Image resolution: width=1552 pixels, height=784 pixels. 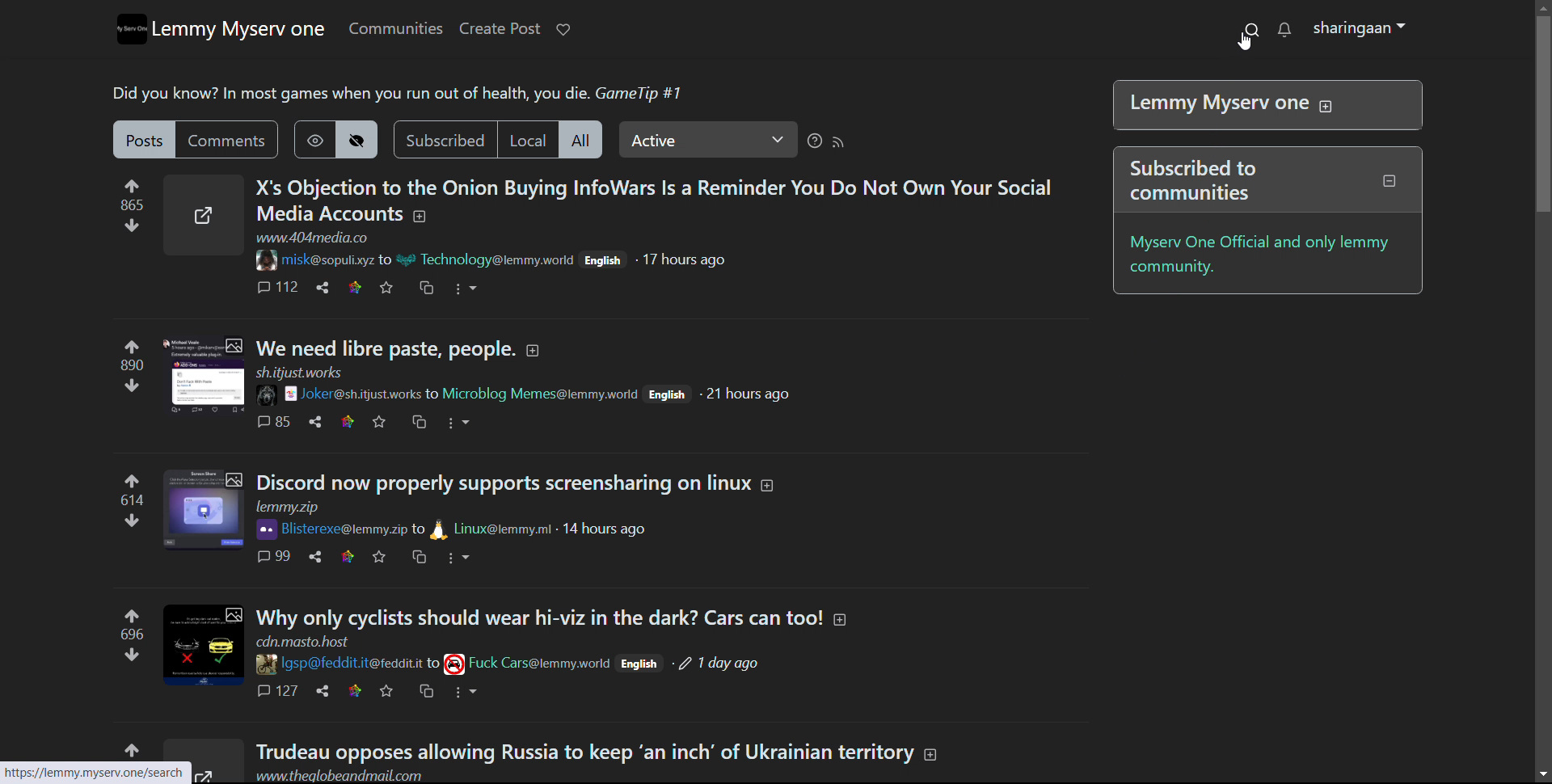 I want to click on Lemmy myserv one logo and name, so click(x=221, y=28).